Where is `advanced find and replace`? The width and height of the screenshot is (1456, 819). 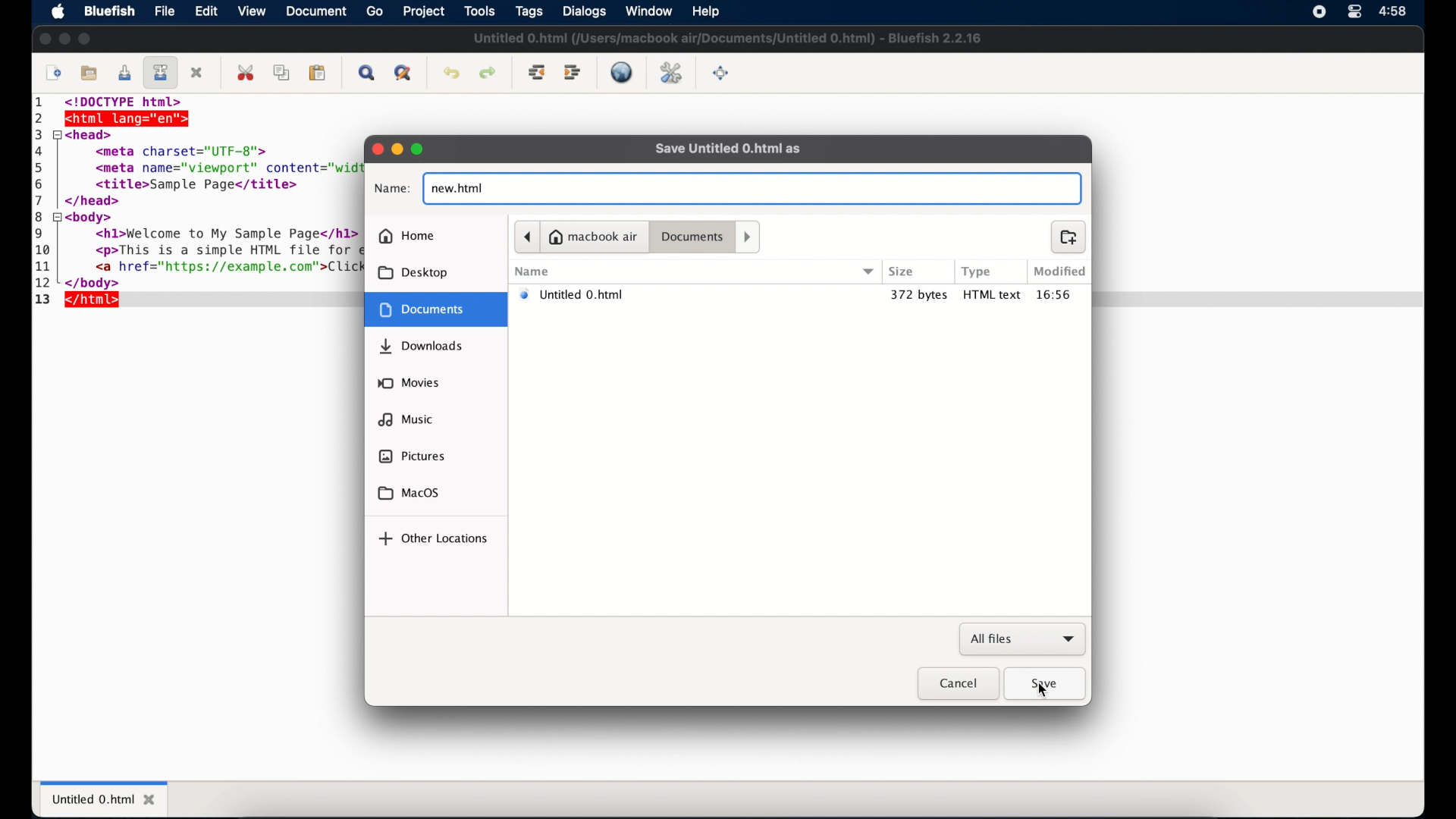 advanced find and replace is located at coordinates (404, 74).